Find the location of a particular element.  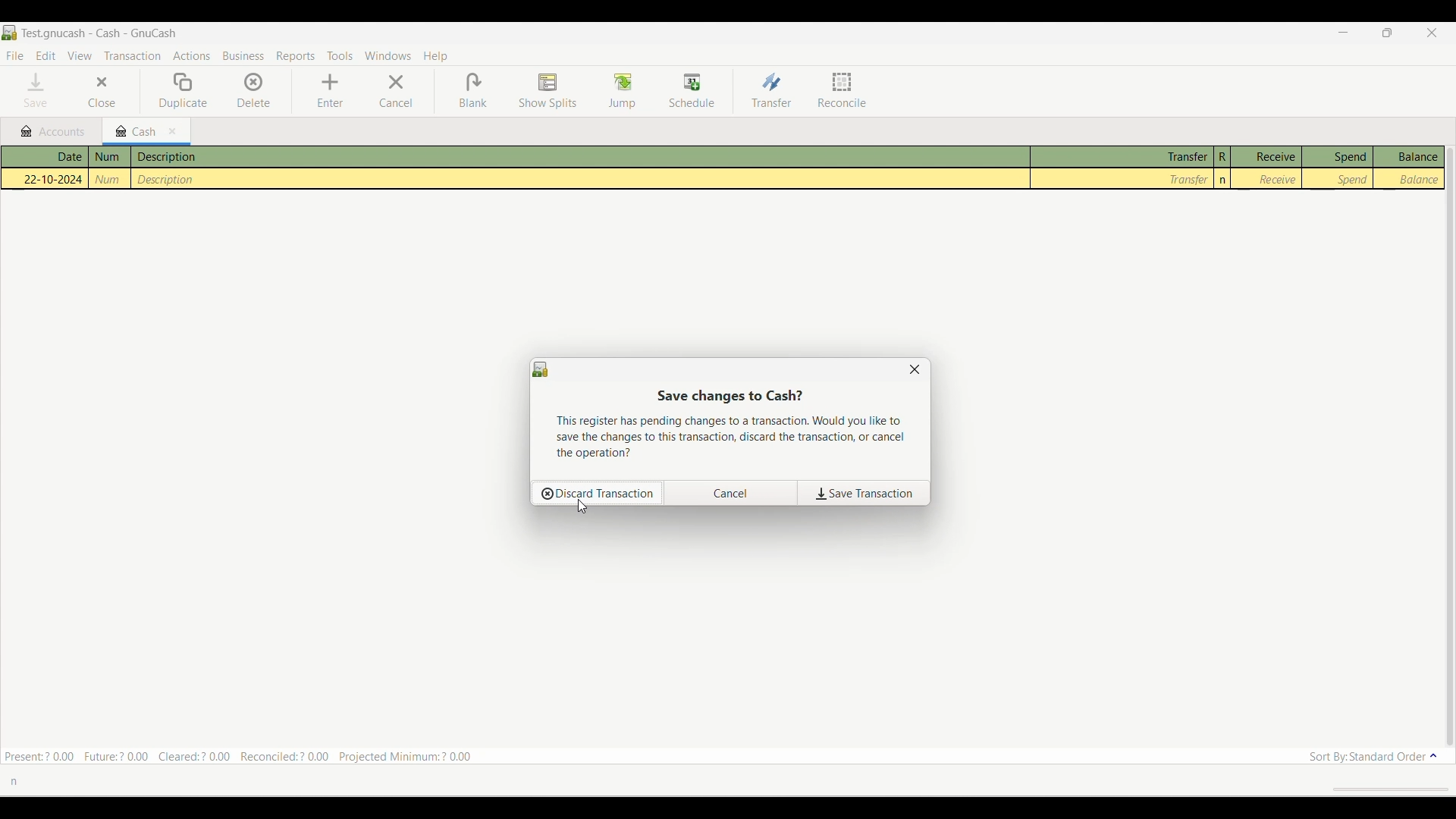

Business is located at coordinates (243, 55).